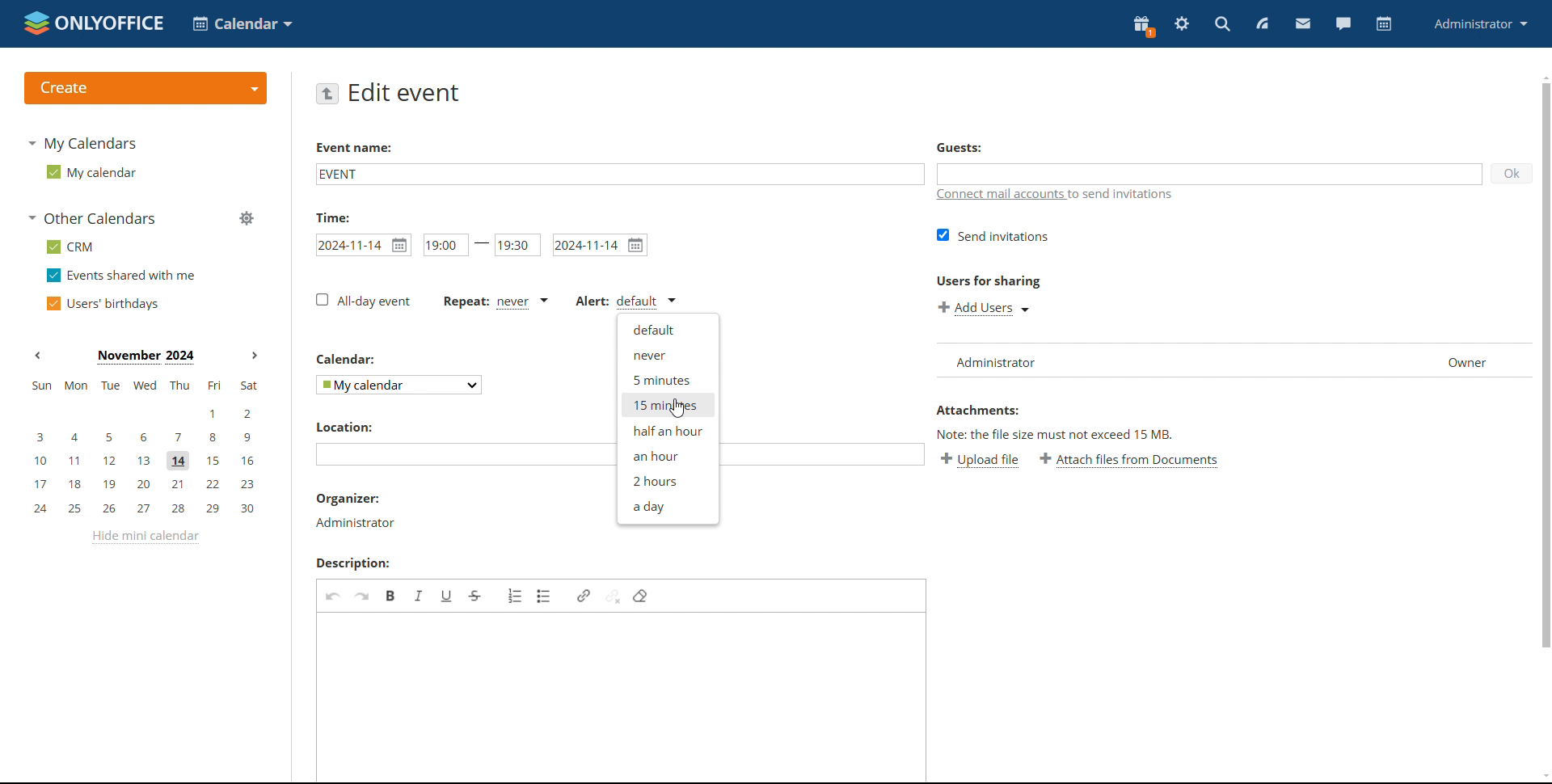  I want to click on attach file from documents, so click(1129, 461).